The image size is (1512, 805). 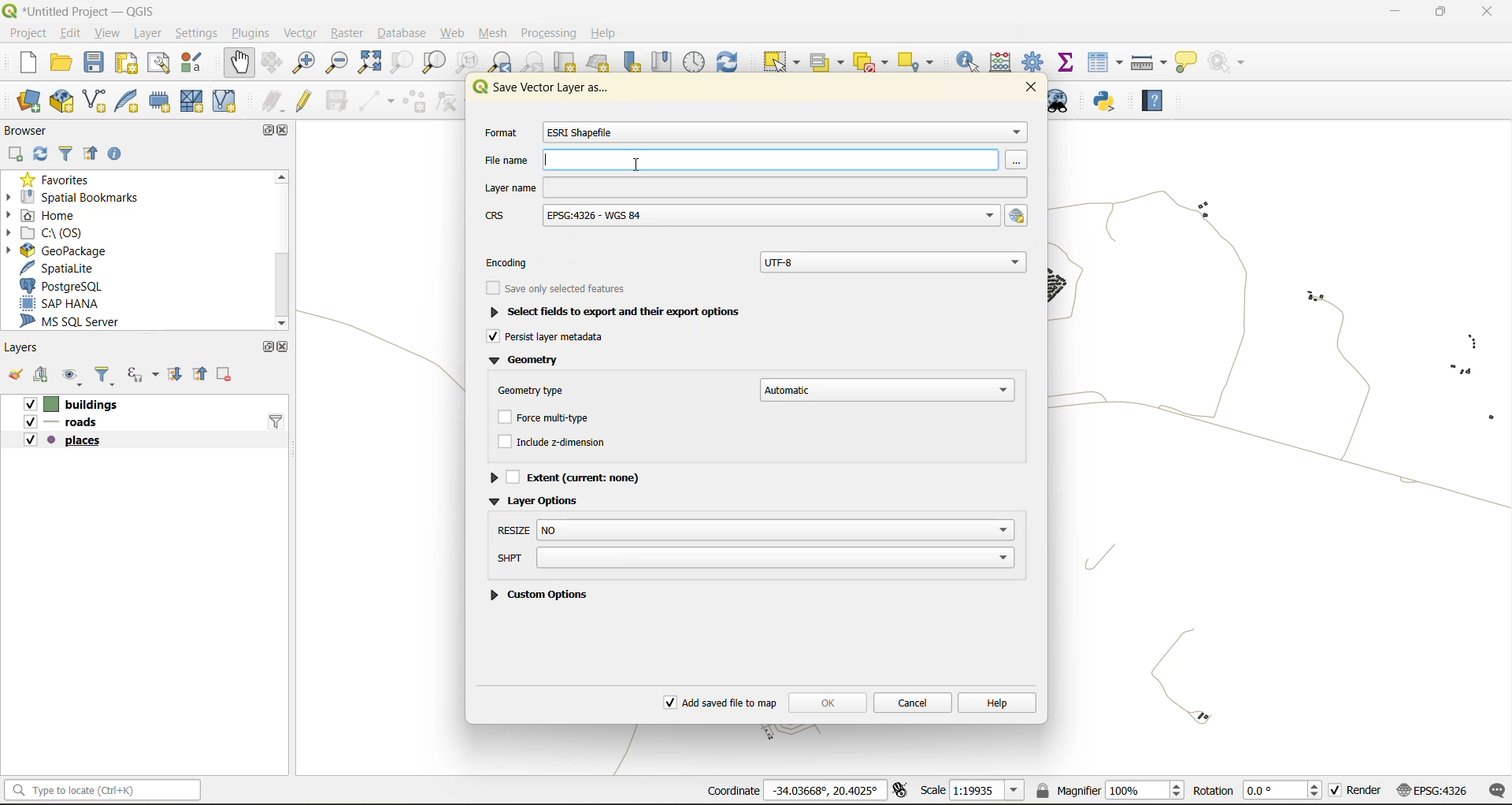 What do you see at coordinates (495, 35) in the screenshot?
I see `mesh` at bounding box center [495, 35].